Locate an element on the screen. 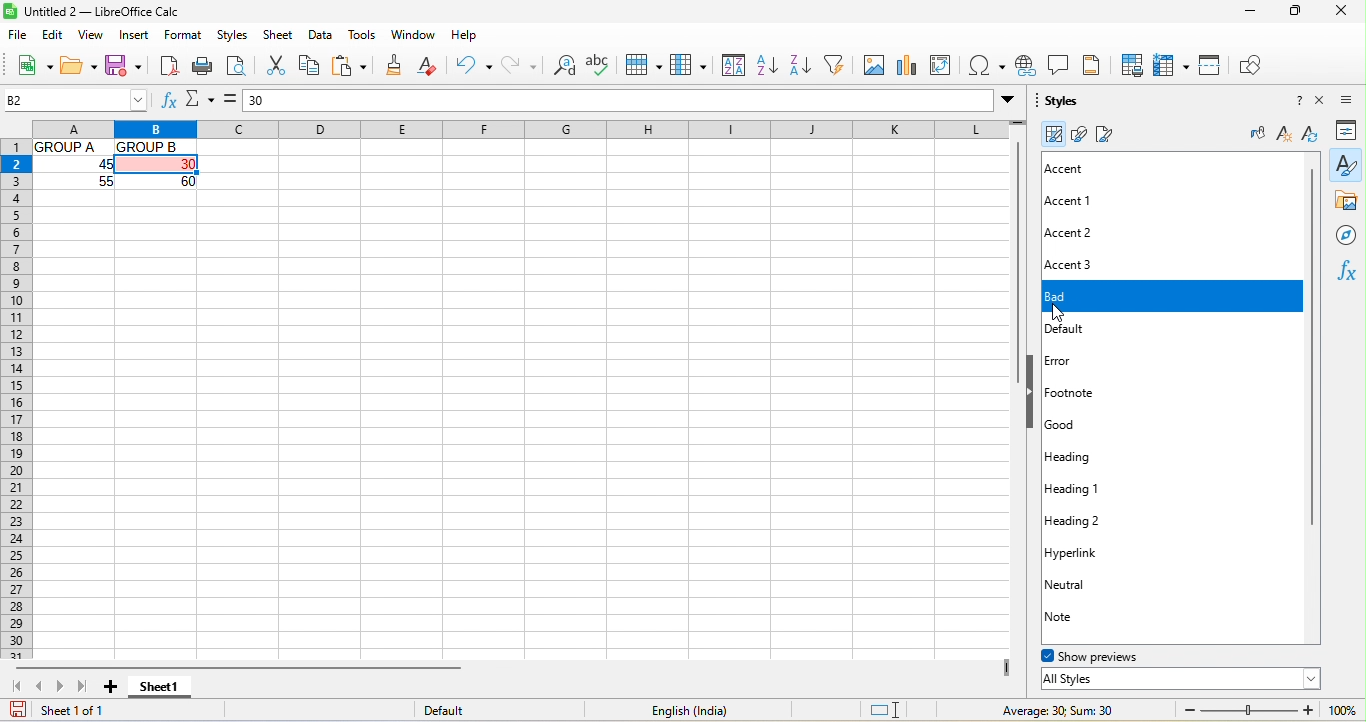  new is located at coordinates (28, 64).